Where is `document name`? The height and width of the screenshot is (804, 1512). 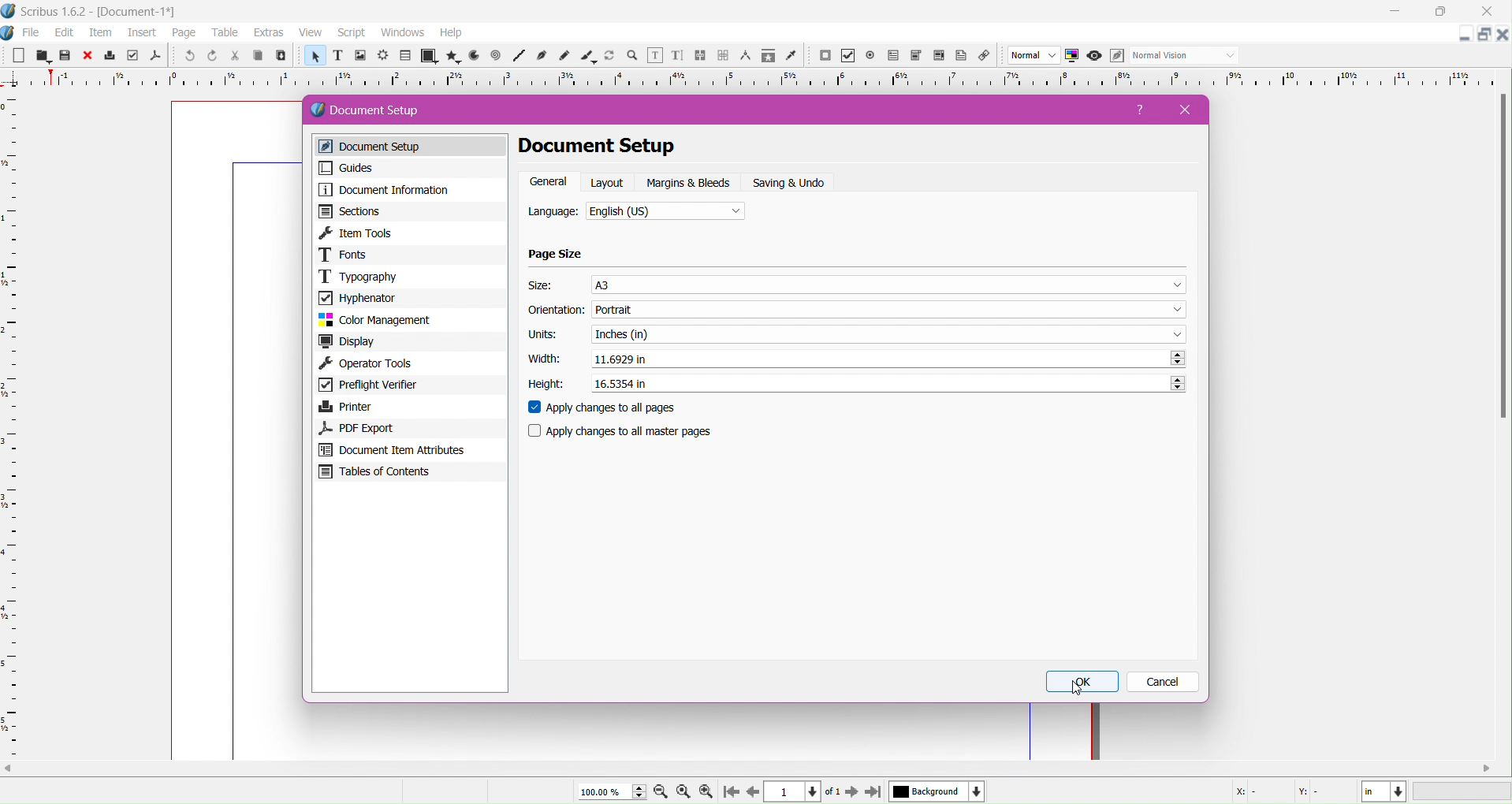
document name is located at coordinates (140, 13).